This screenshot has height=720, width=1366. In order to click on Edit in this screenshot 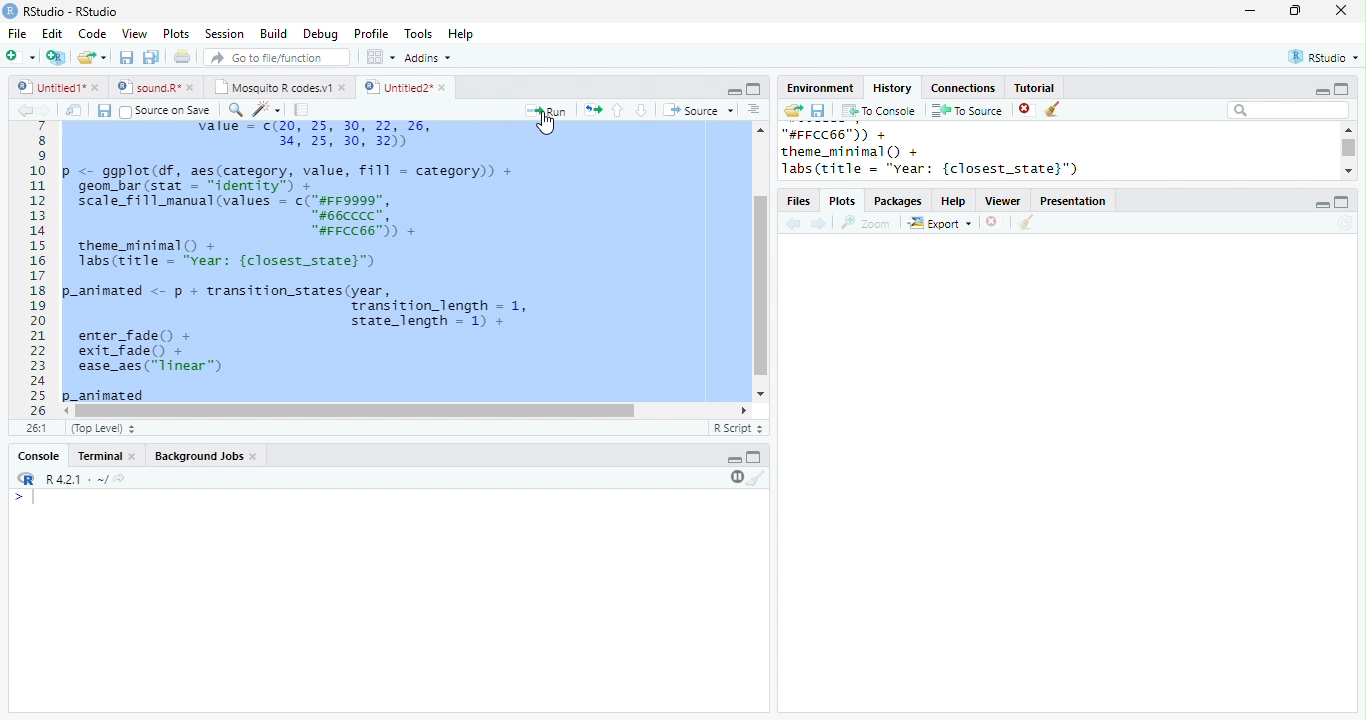, I will do `click(52, 33)`.